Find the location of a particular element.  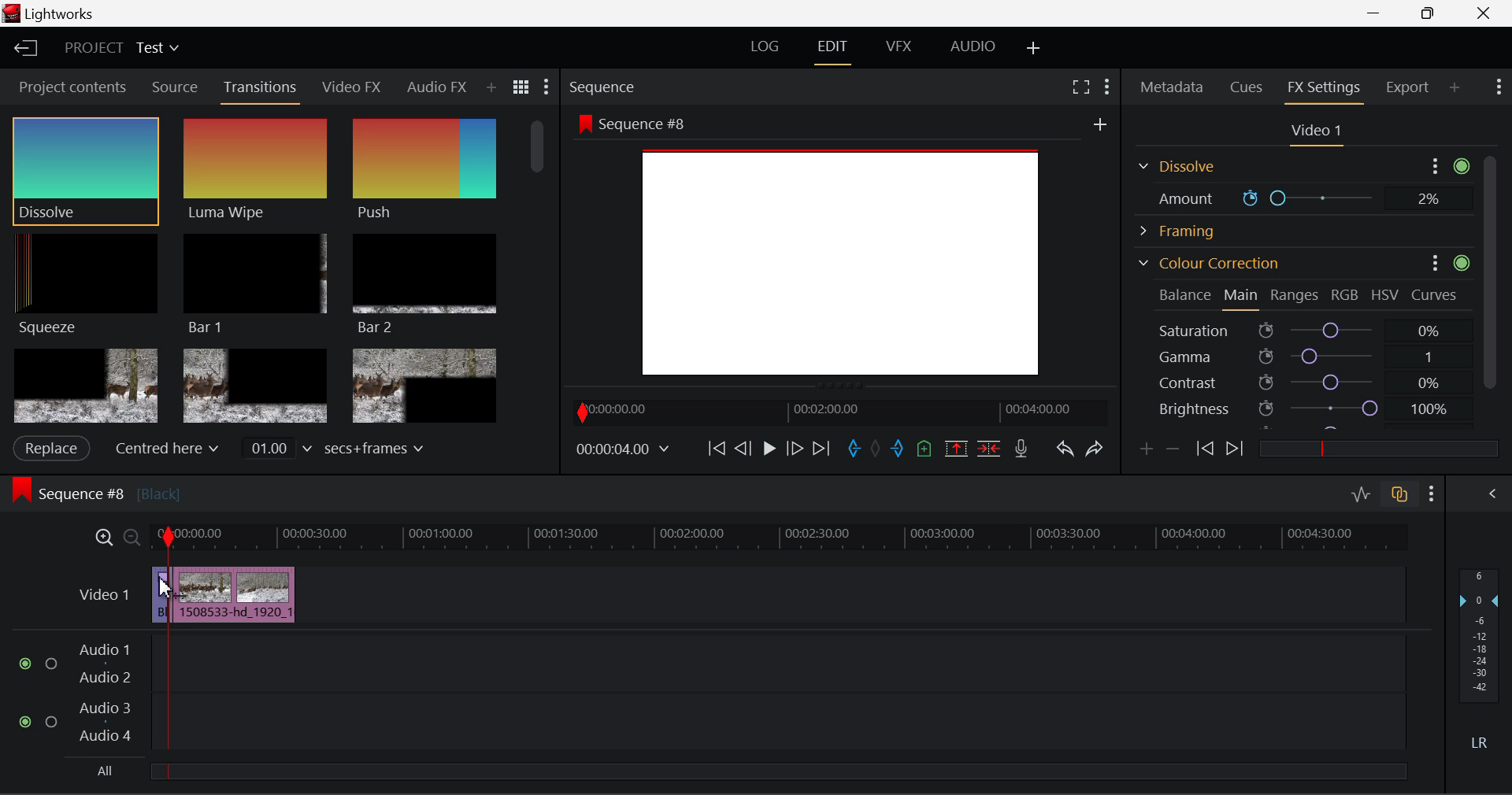

FX Settings Panel Open is located at coordinates (1325, 89).